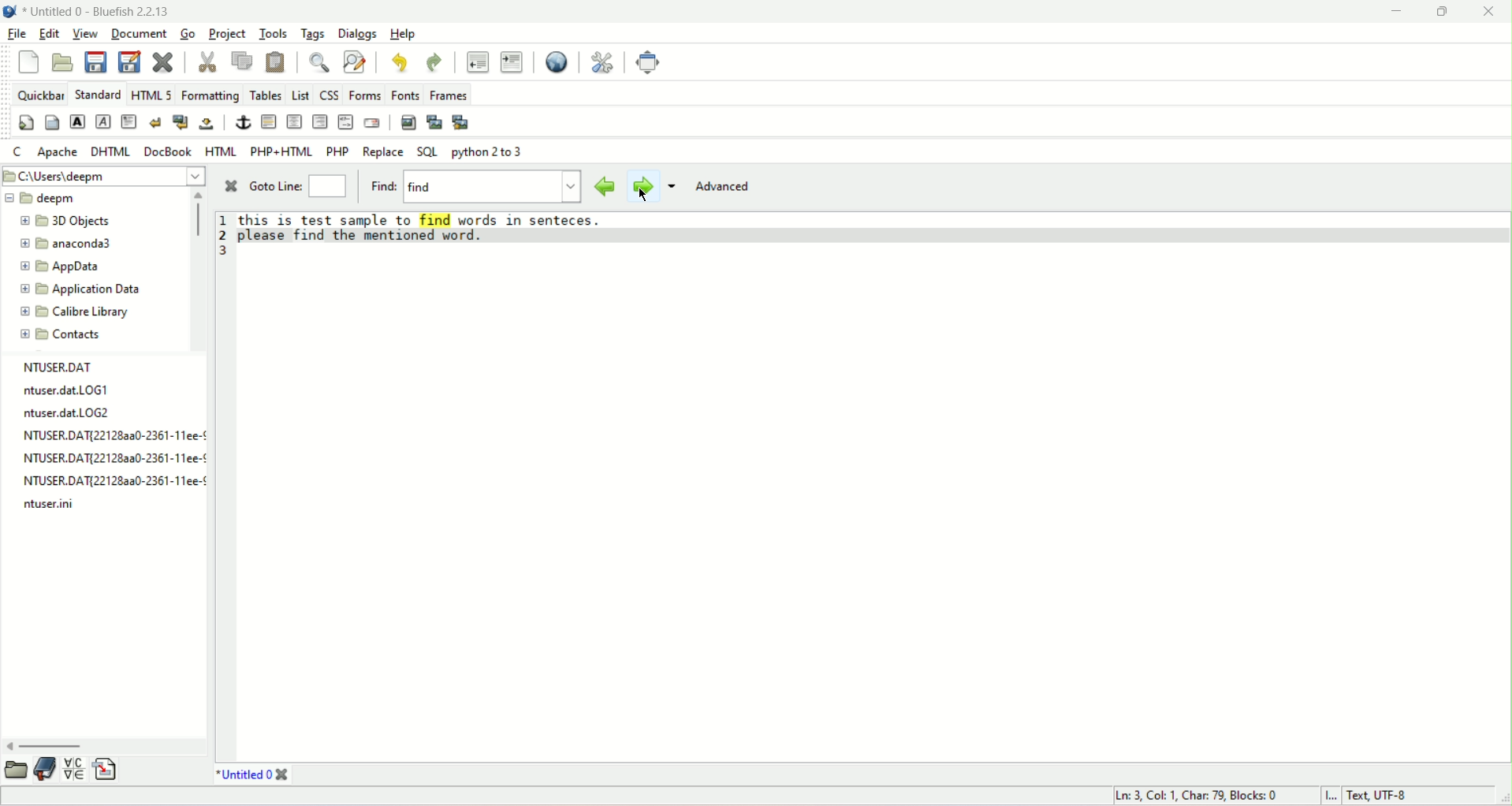 The width and height of the screenshot is (1512, 806). What do you see at coordinates (61, 220) in the screenshot?
I see `3D objects` at bounding box center [61, 220].